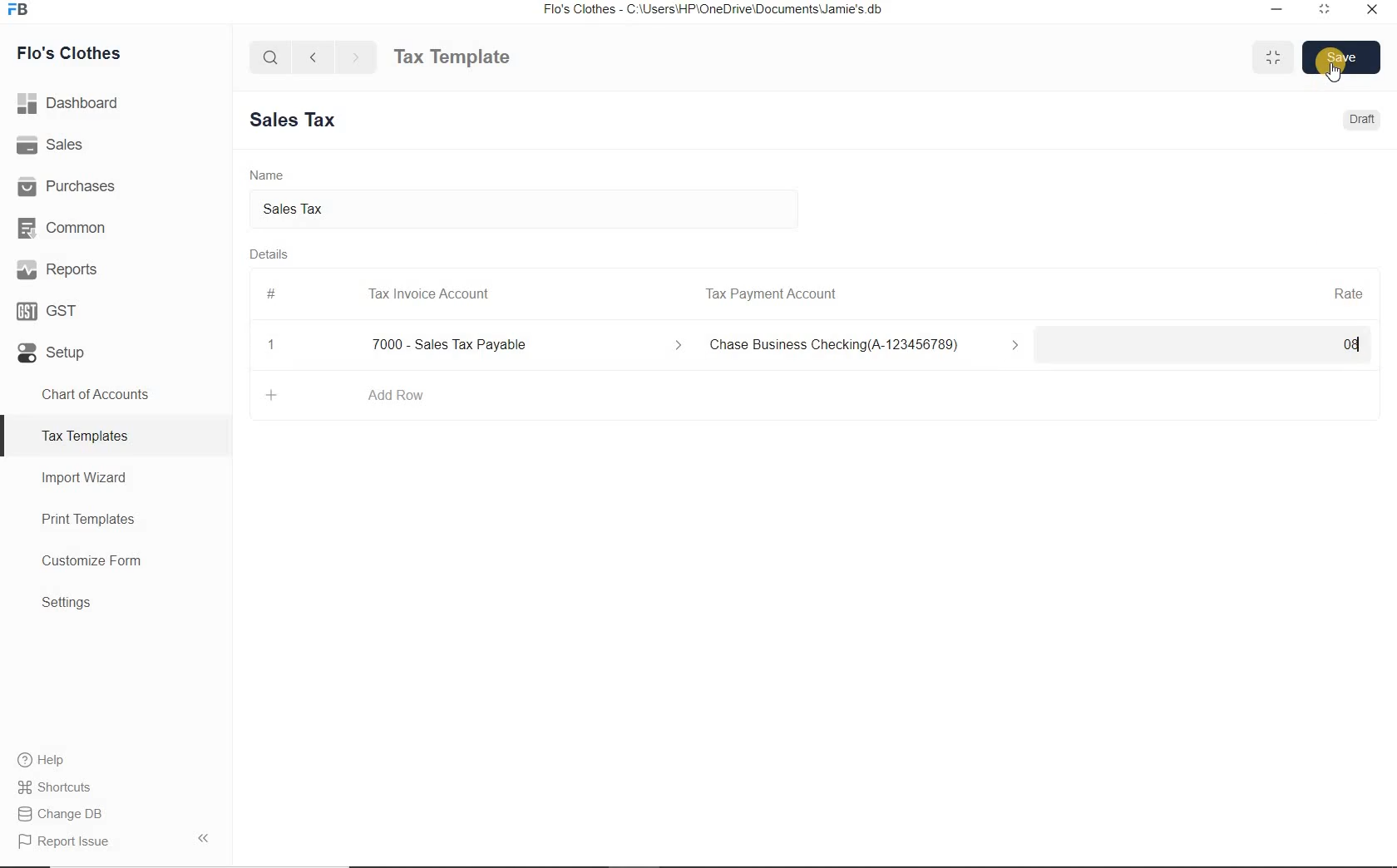 The width and height of the screenshot is (1397, 868). Describe the element at coordinates (1334, 72) in the screenshot. I see `Cursor` at that location.